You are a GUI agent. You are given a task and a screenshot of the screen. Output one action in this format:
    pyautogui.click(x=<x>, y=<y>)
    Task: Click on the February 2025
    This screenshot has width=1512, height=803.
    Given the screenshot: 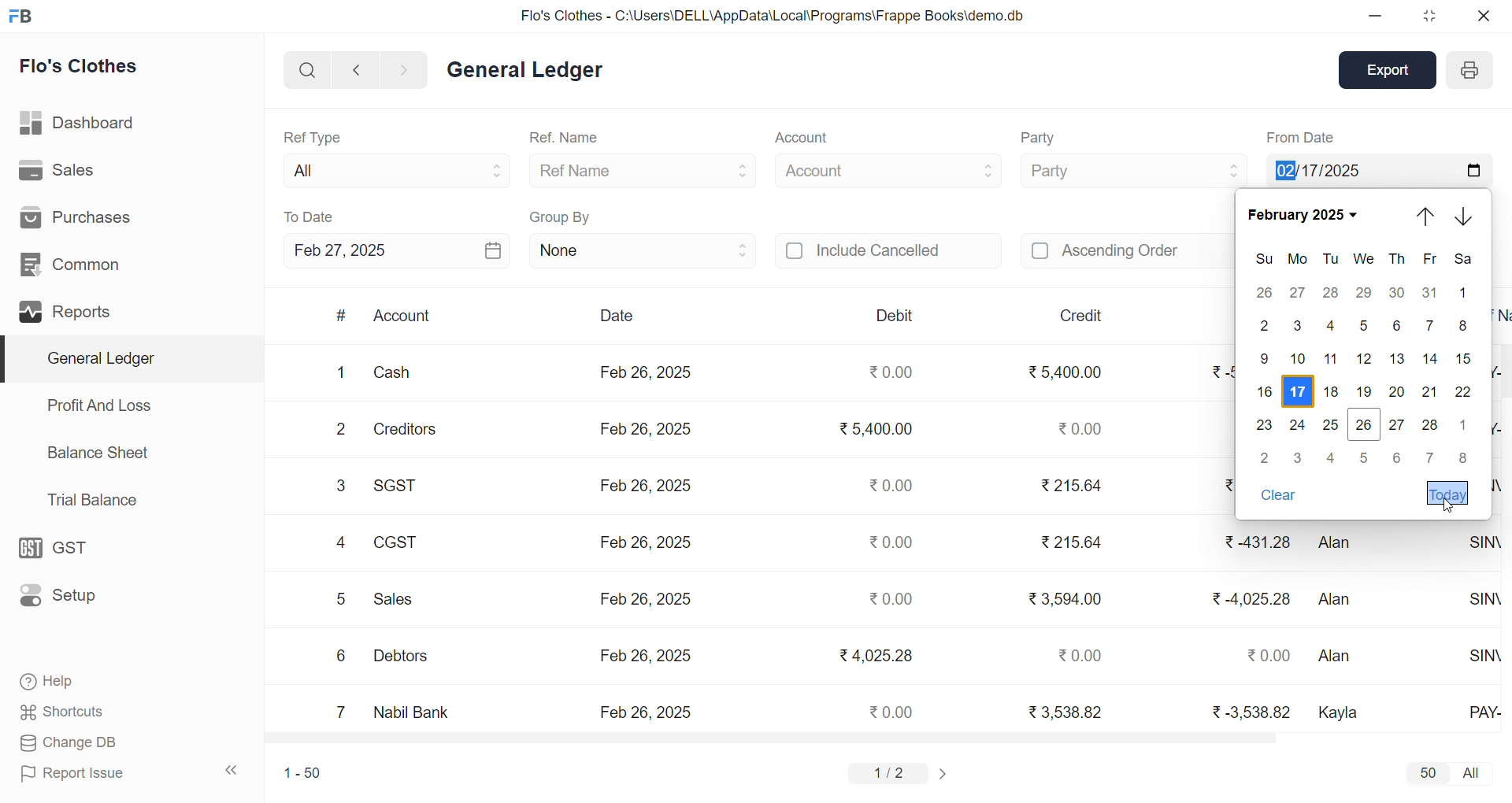 What is the action you would take?
    pyautogui.click(x=1302, y=215)
    